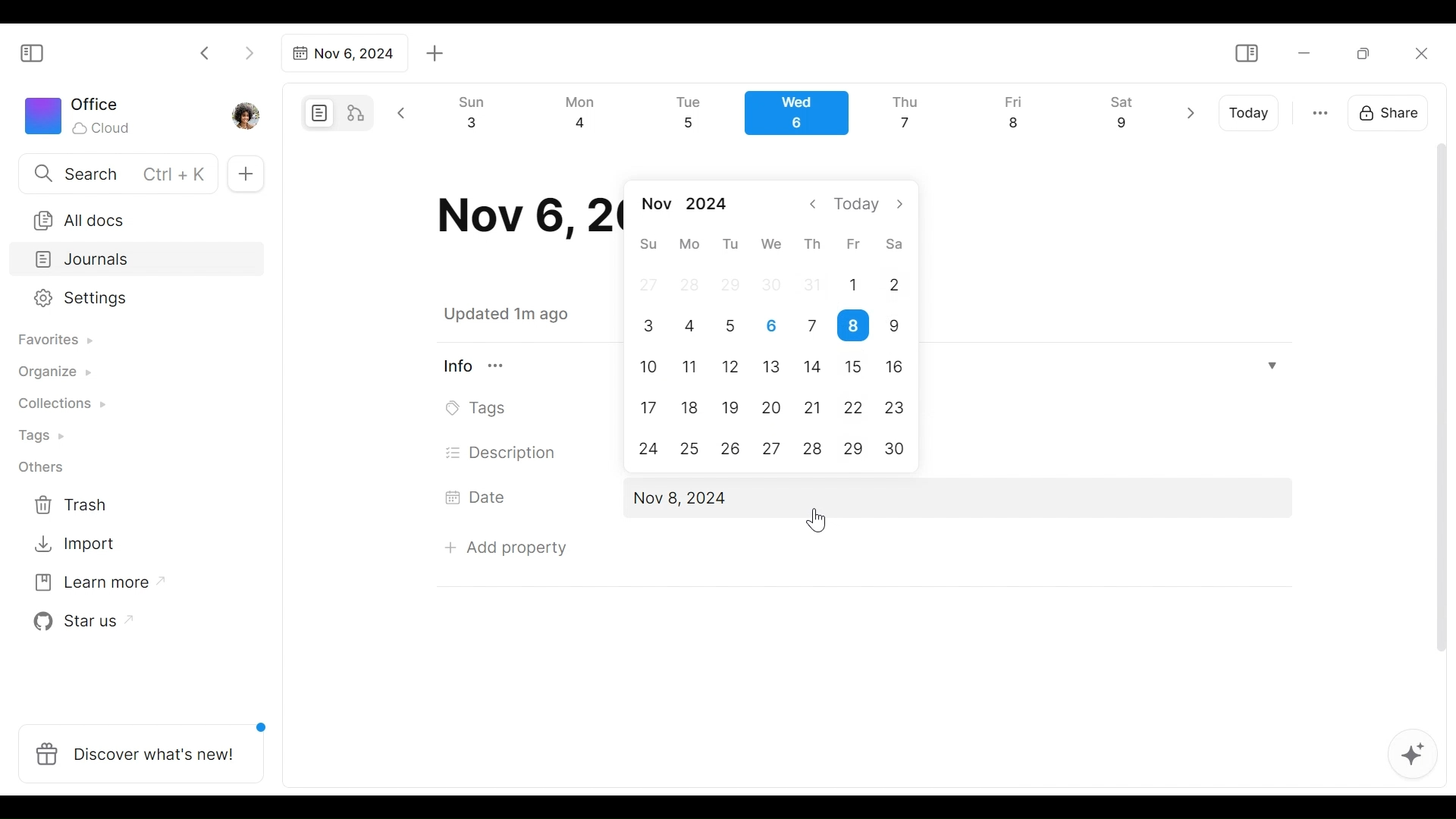 Image resolution: width=1456 pixels, height=819 pixels. I want to click on Share, so click(1393, 111).